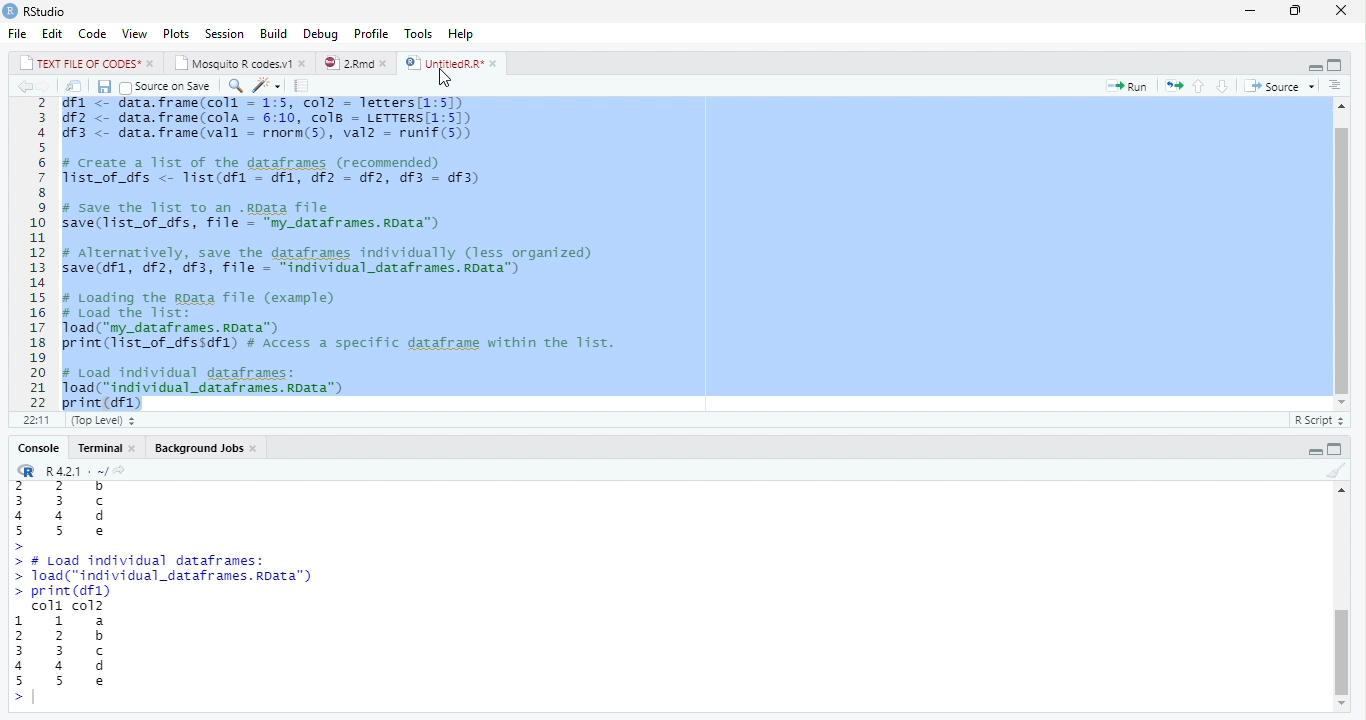 The width and height of the screenshot is (1366, 720). What do you see at coordinates (234, 86) in the screenshot?
I see `Find/Replace` at bounding box center [234, 86].